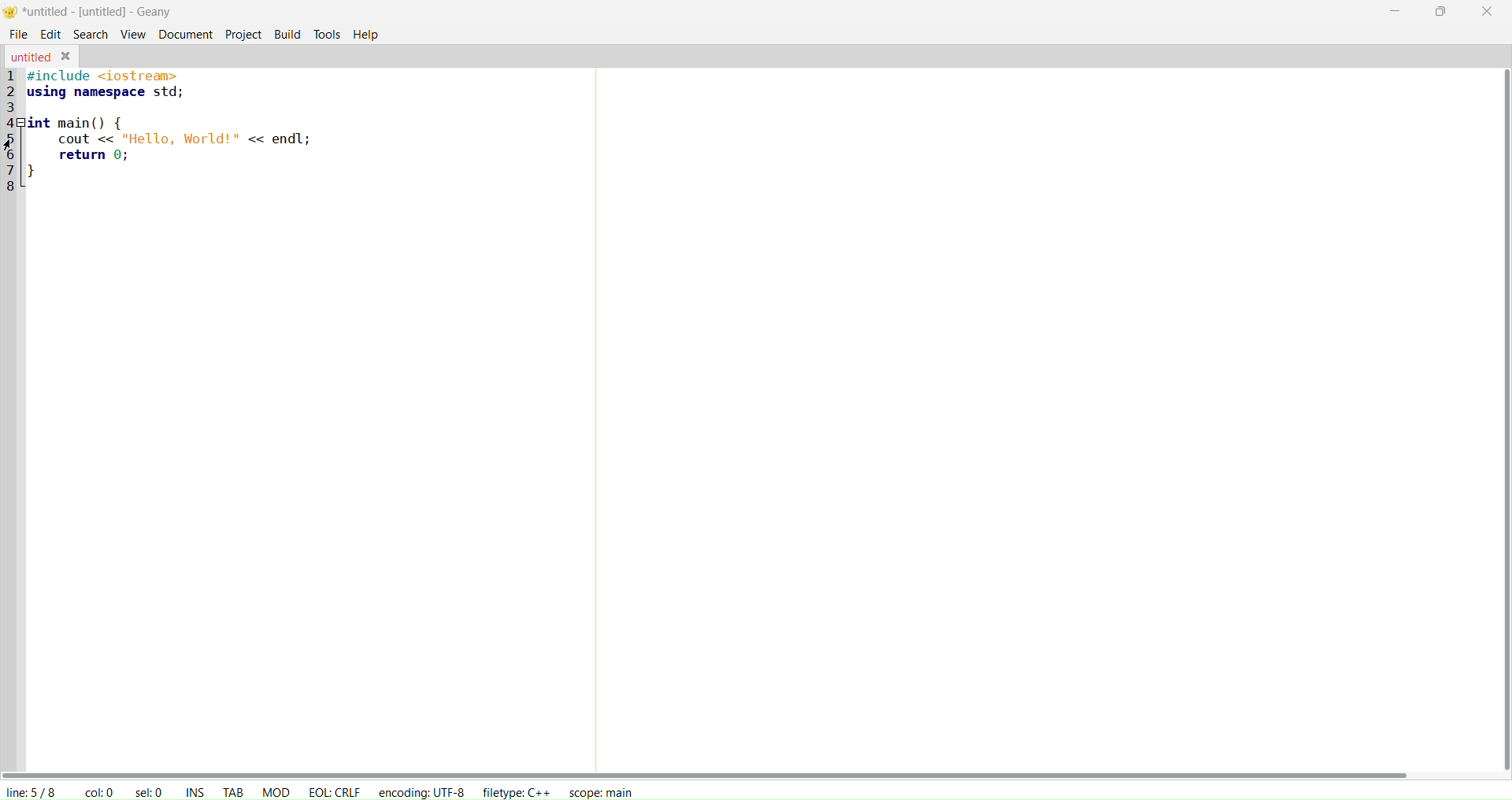 Image resolution: width=1512 pixels, height=800 pixels. What do you see at coordinates (53, 33) in the screenshot?
I see `edit` at bounding box center [53, 33].